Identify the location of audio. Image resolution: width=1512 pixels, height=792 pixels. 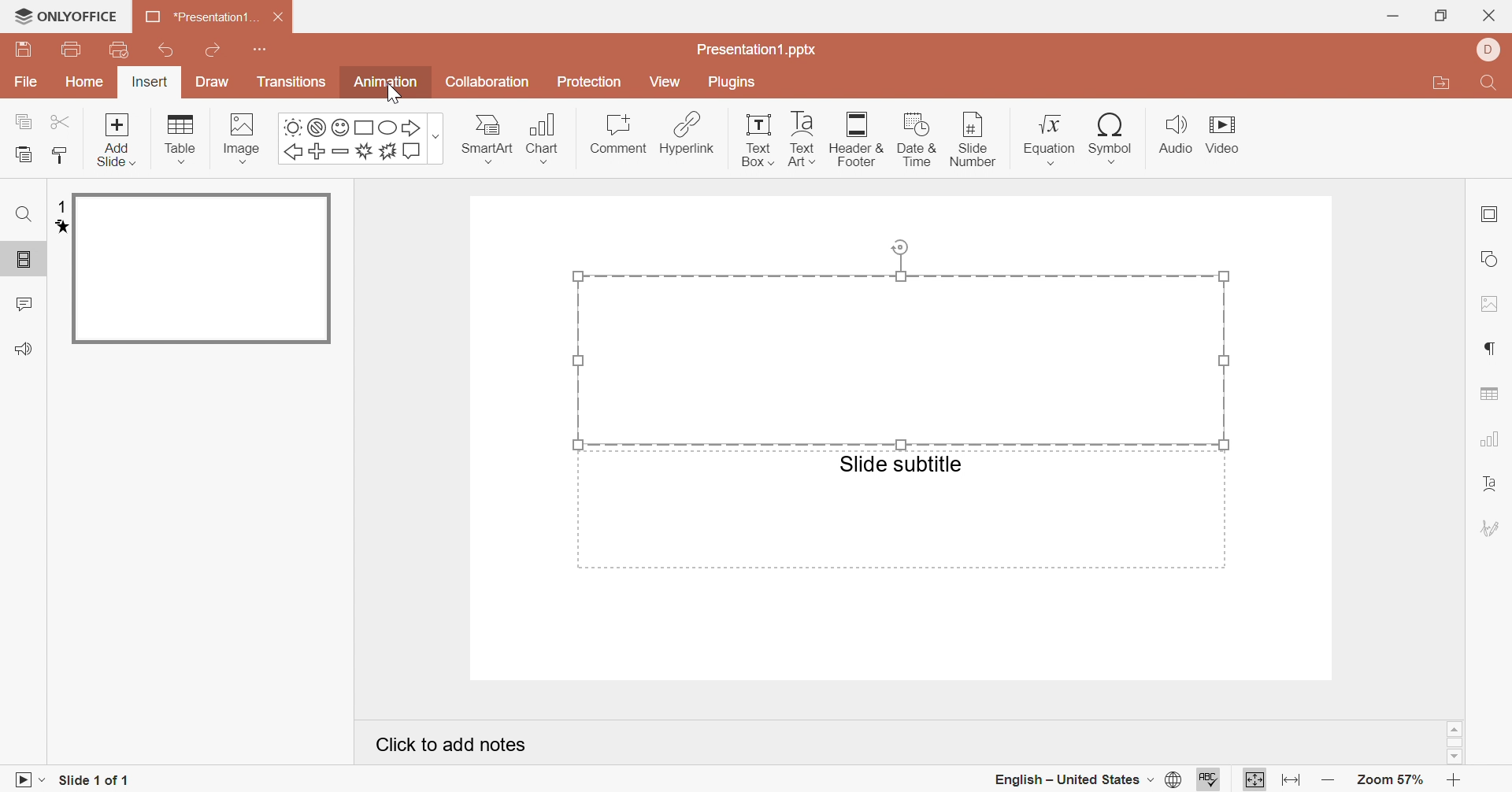
(1176, 135).